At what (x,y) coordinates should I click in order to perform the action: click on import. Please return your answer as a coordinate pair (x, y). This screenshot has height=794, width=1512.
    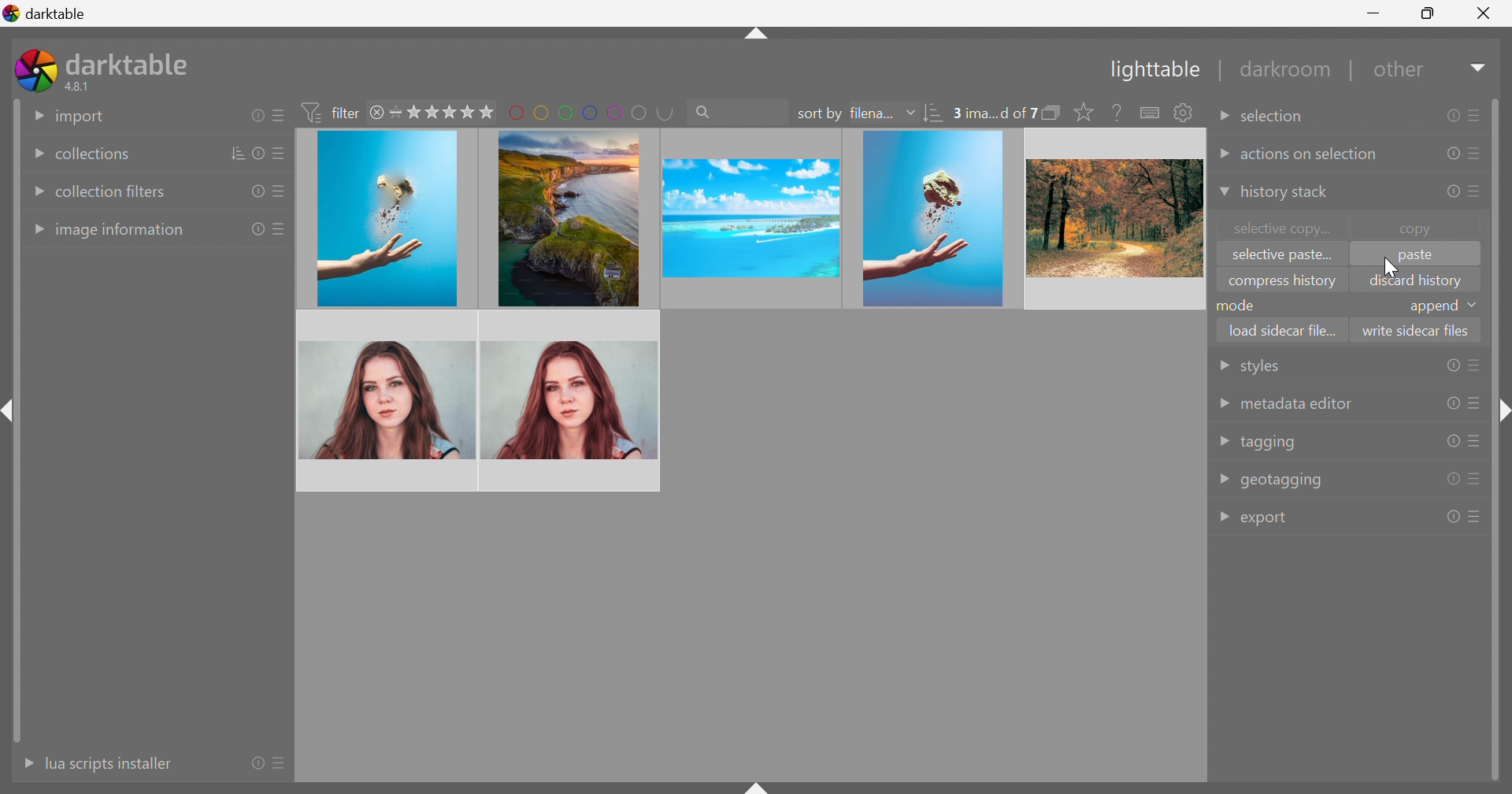
    Looking at the image, I should click on (81, 117).